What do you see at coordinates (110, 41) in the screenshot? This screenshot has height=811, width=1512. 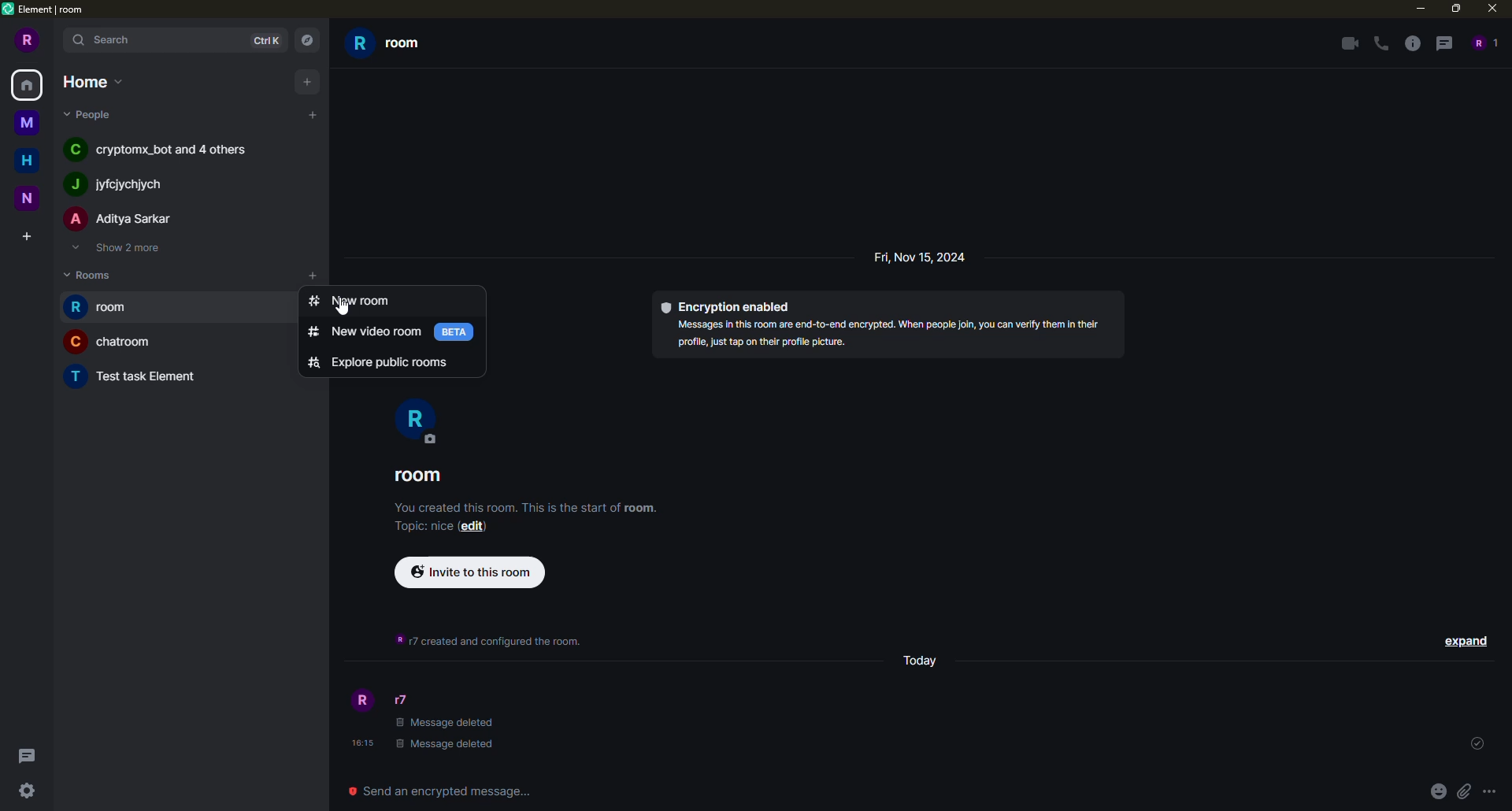 I see `search` at bounding box center [110, 41].